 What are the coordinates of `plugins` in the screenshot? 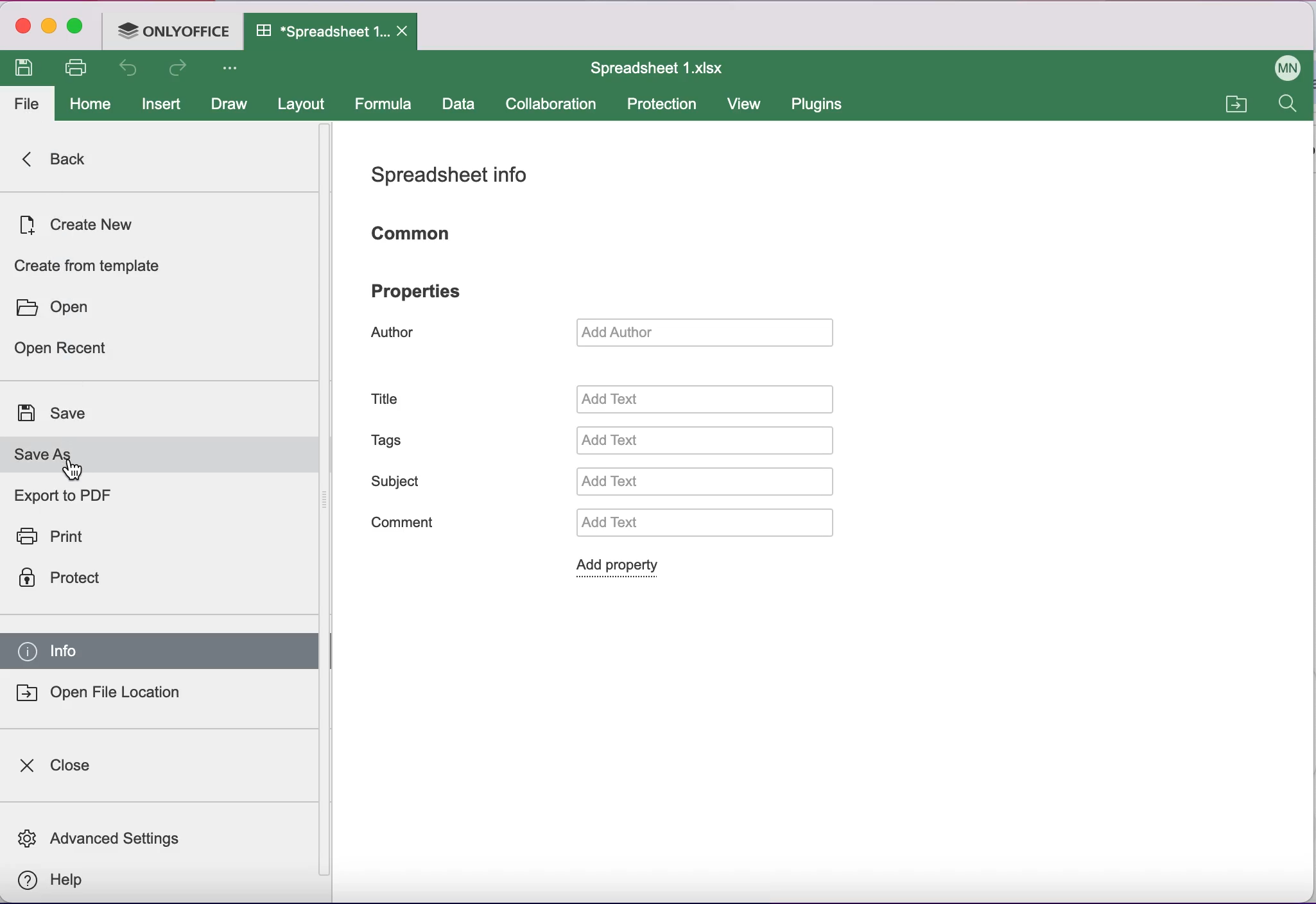 It's located at (821, 105).